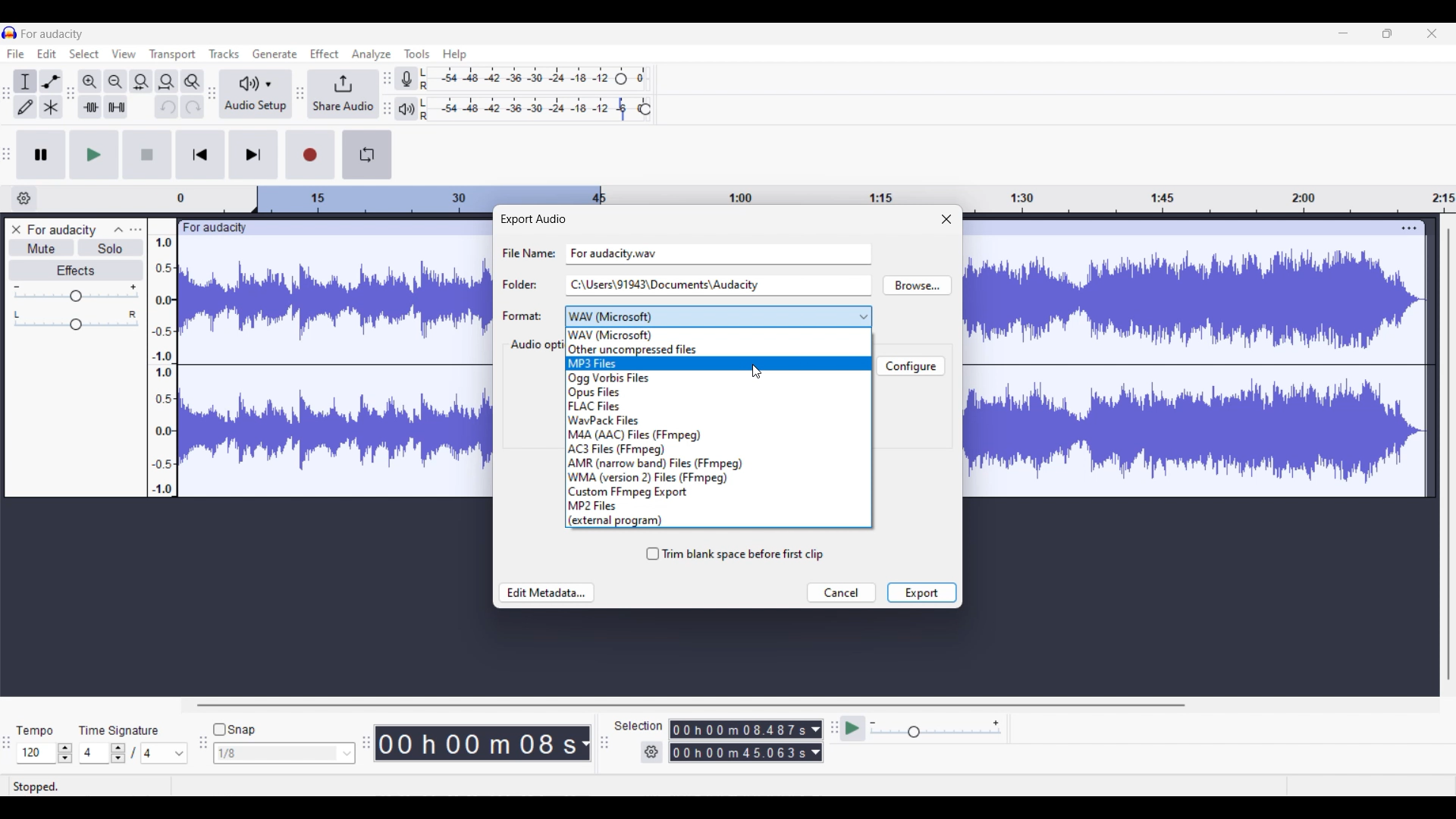 This screenshot has width=1456, height=819. What do you see at coordinates (41, 155) in the screenshot?
I see `Pause` at bounding box center [41, 155].